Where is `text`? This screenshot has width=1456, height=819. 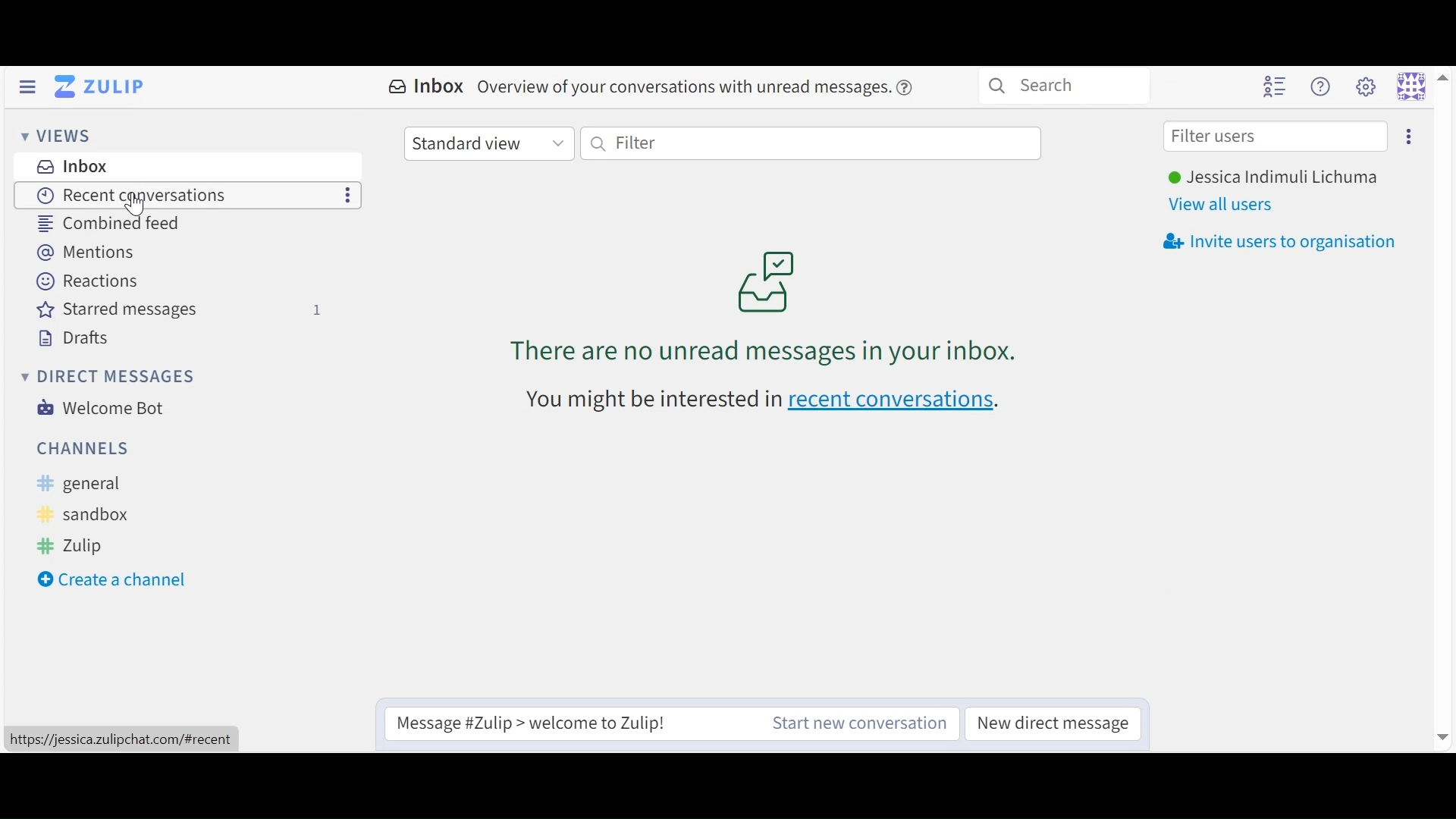 text is located at coordinates (653, 401).